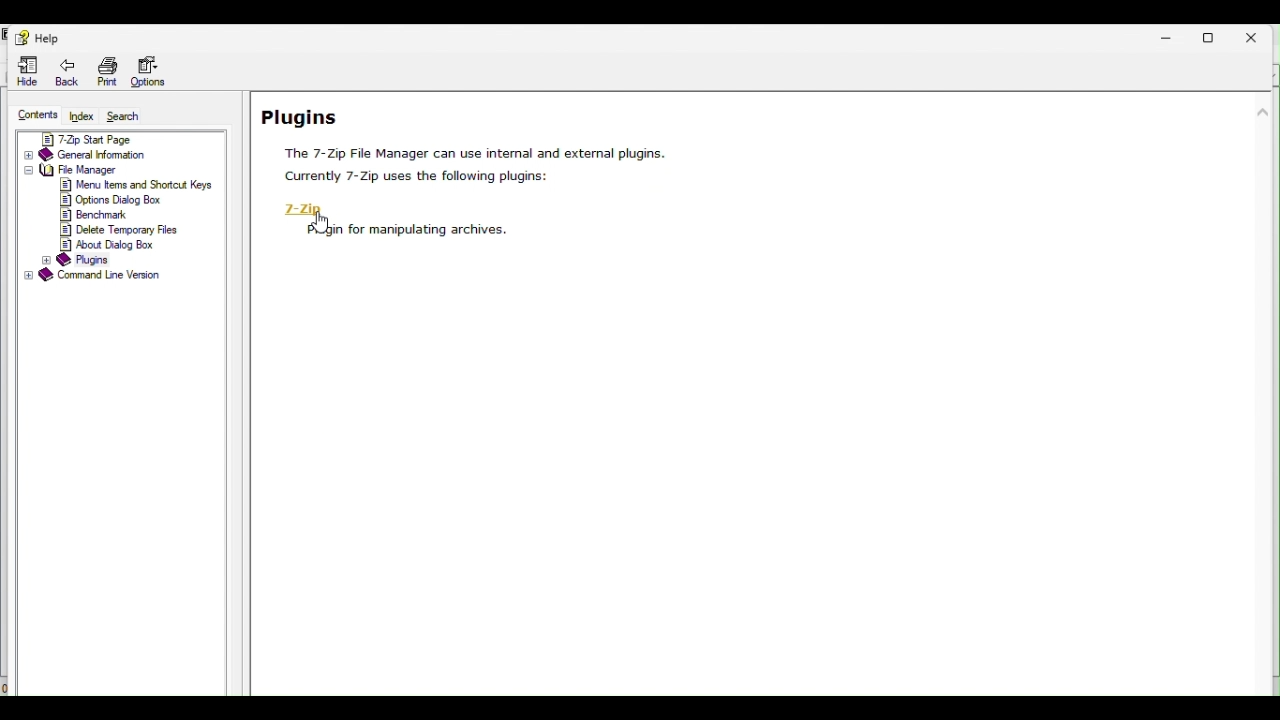 This screenshot has height=720, width=1280. I want to click on 7 zip start page, so click(118, 139).